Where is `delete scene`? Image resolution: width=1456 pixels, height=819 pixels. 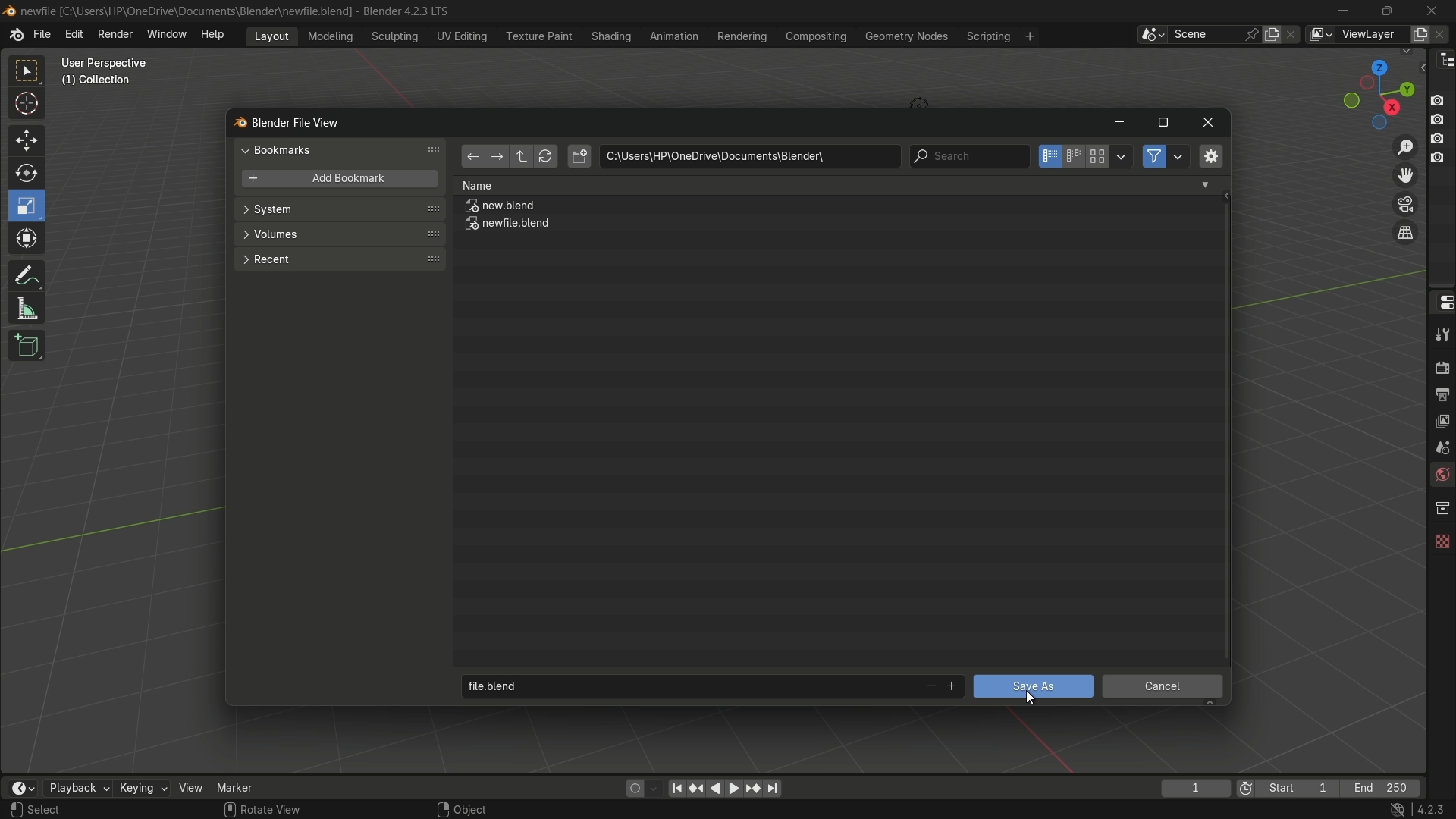 delete scene is located at coordinates (1293, 34).